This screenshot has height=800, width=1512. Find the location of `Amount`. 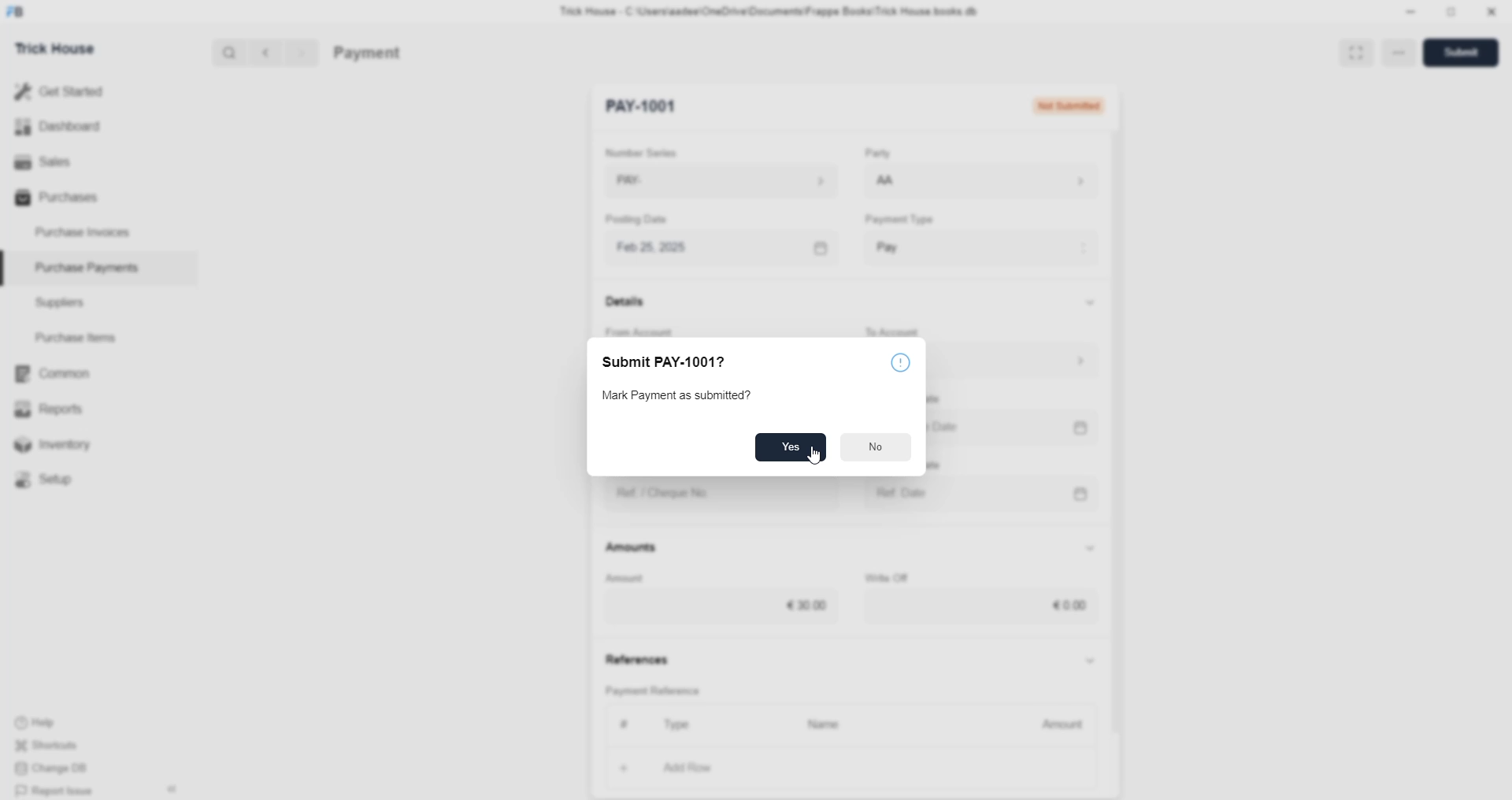

Amount is located at coordinates (1061, 723).